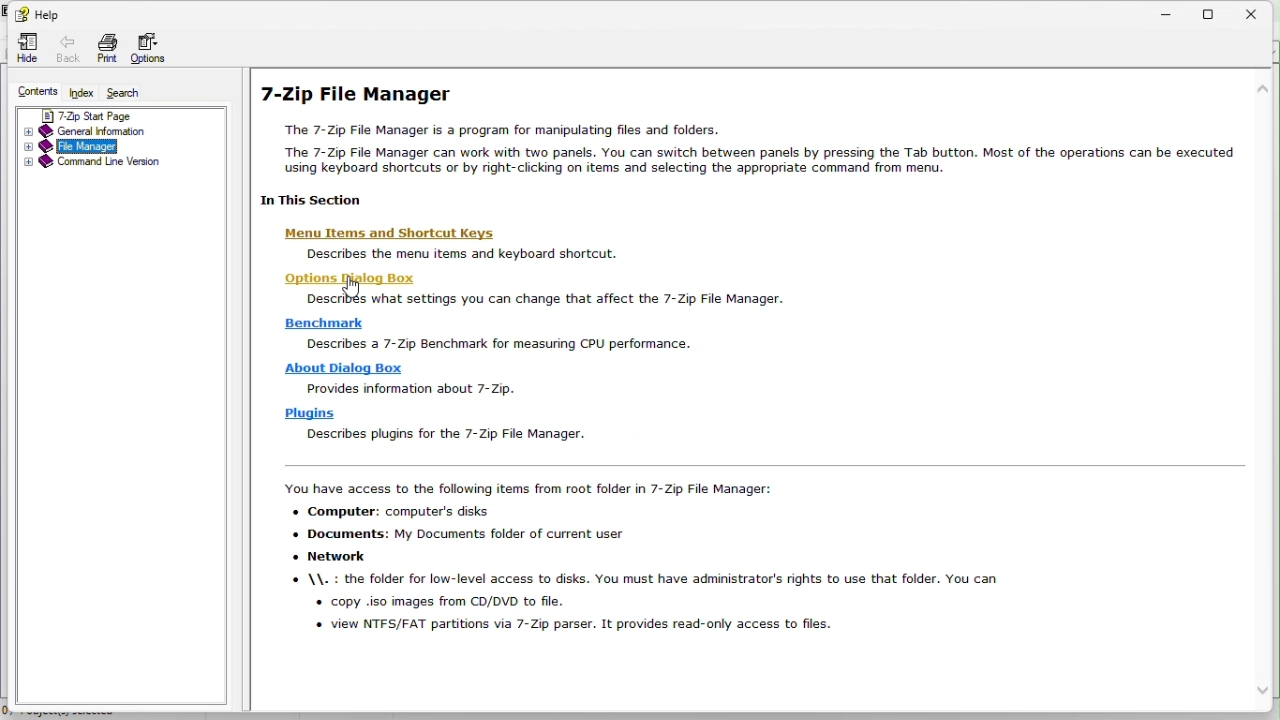 Image resolution: width=1280 pixels, height=720 pixels. Describe the element at coordinates (503, 342) in the screenshot. I see `cpu performance measure` at that location.